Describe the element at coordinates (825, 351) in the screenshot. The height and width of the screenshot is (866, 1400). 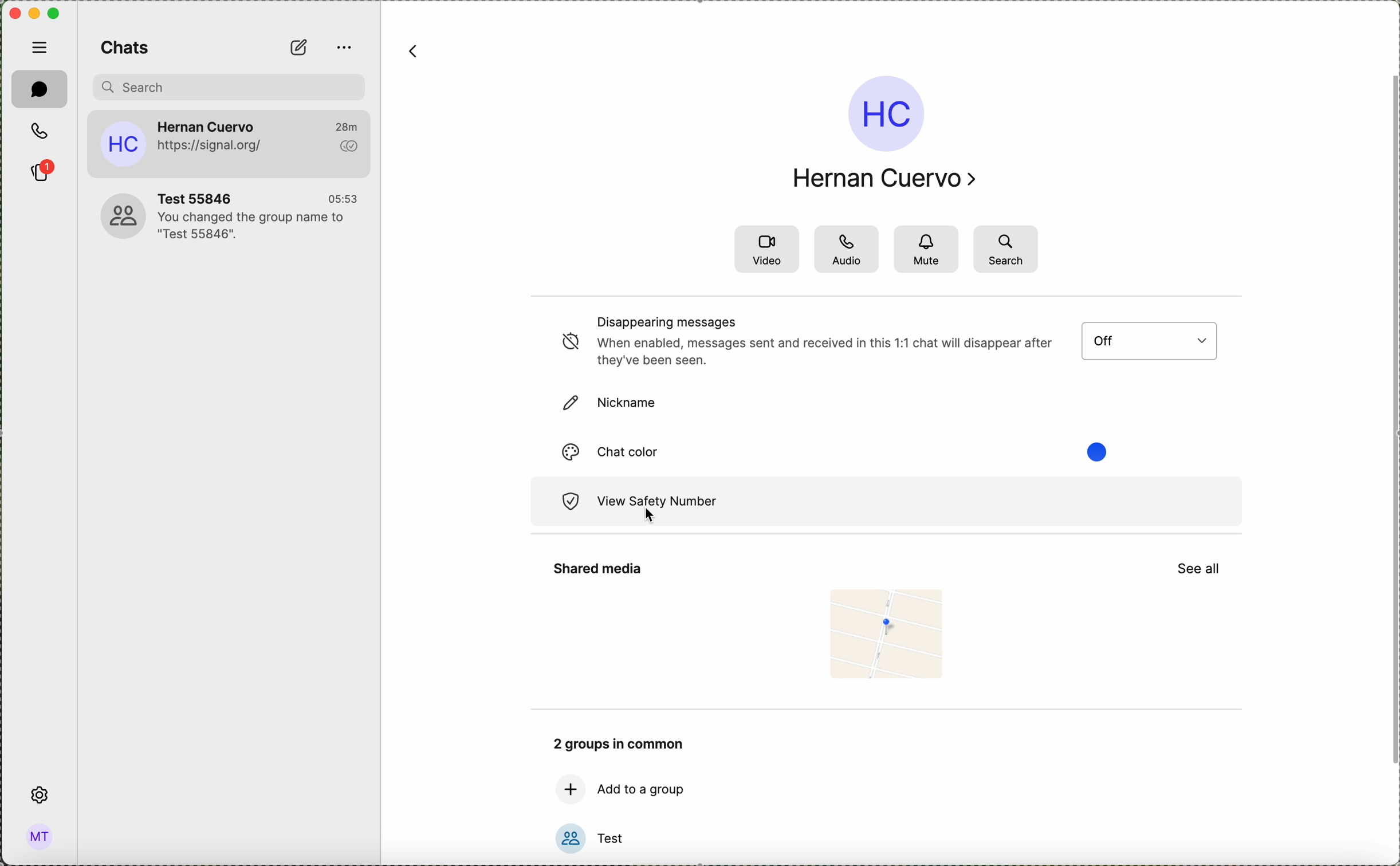
I see `When enabled, messages sent and received in this 1:1 chat will disappear after
they've been seen.` at that location.